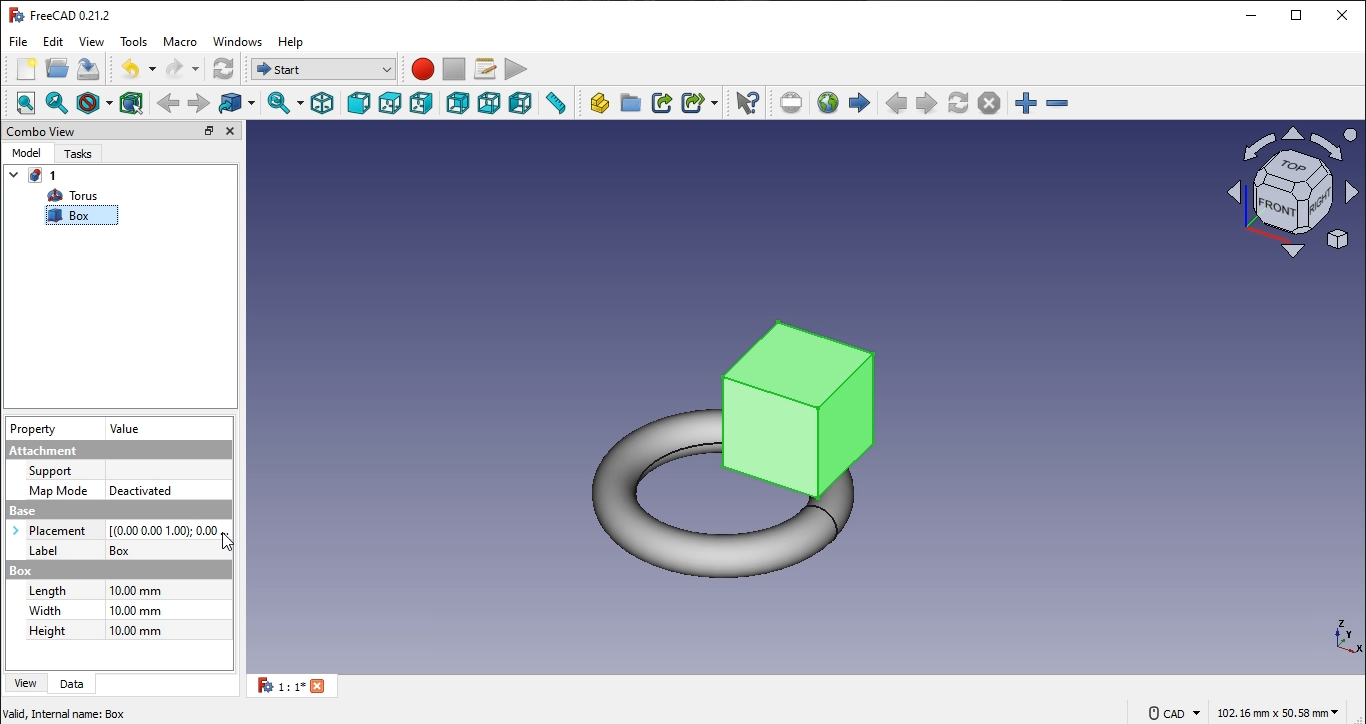 This screenshot has width=1366, height=724. What do you see at coordinates (1298, 15) in the screenshot?
I see `restore down` at bounding box center [1298, 15].